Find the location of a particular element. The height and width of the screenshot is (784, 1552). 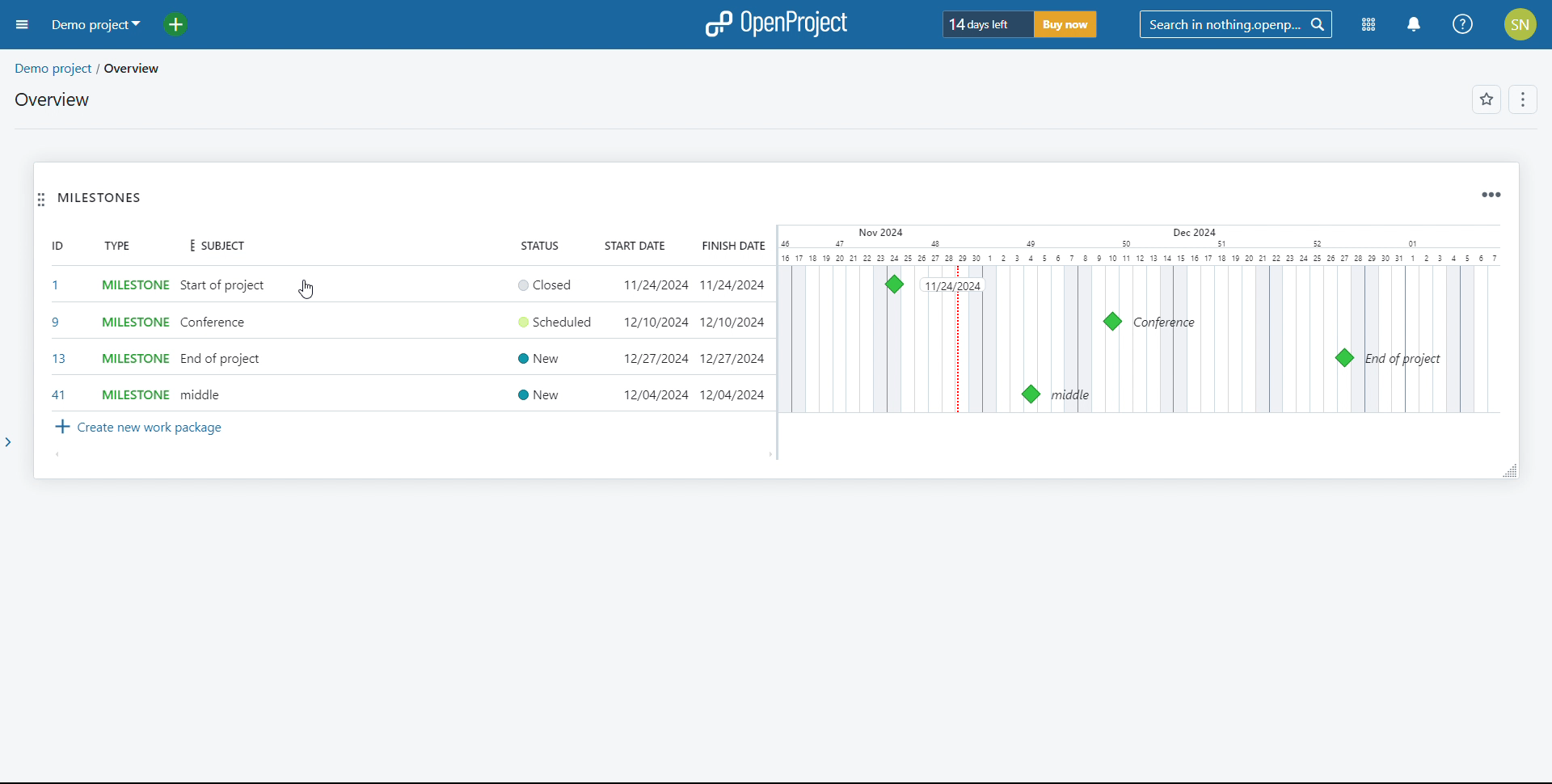

12/10/2024 is located at coordinates (732, 322).